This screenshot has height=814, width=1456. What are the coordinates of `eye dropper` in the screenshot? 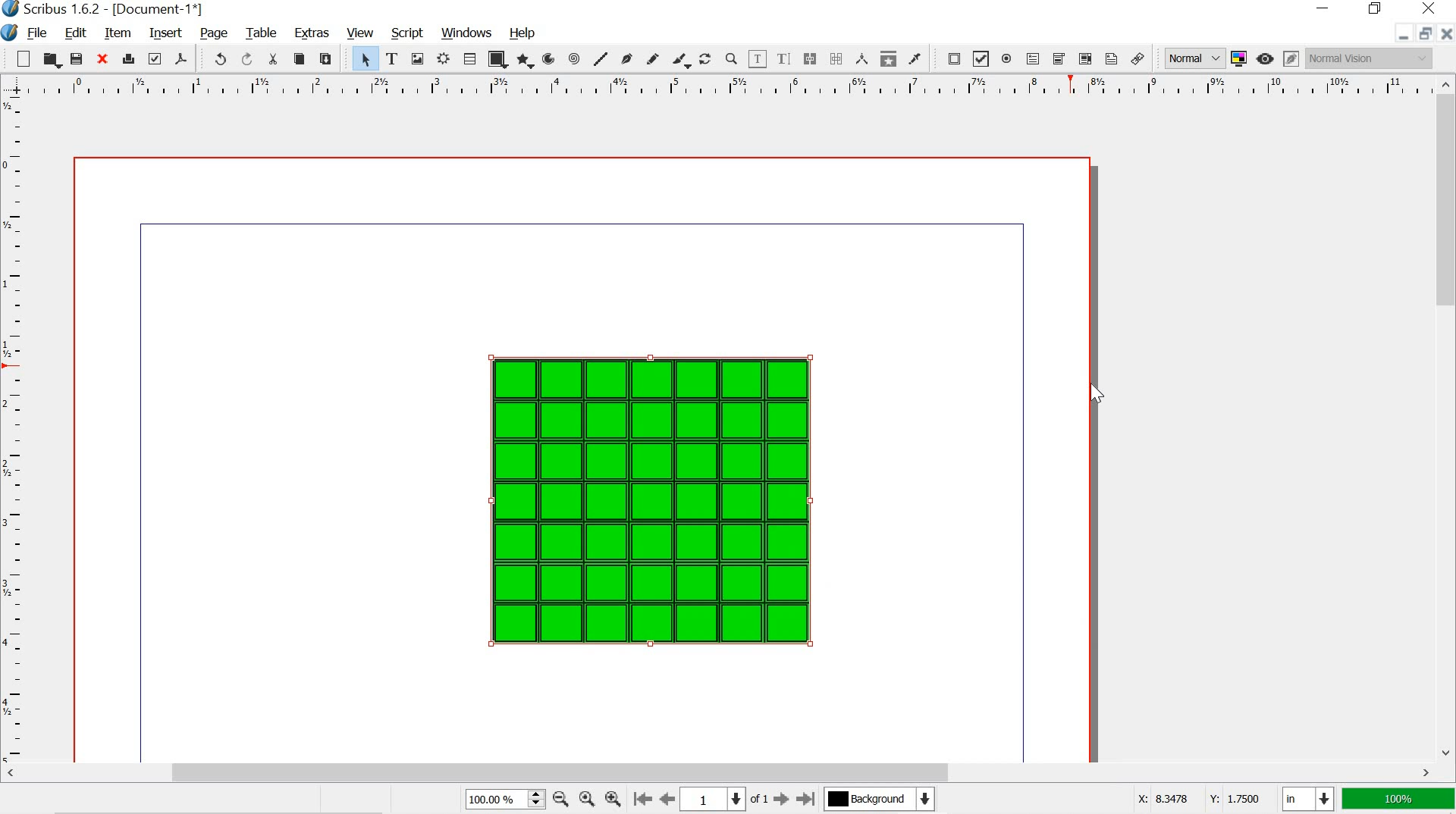 It's located at (915, 58).